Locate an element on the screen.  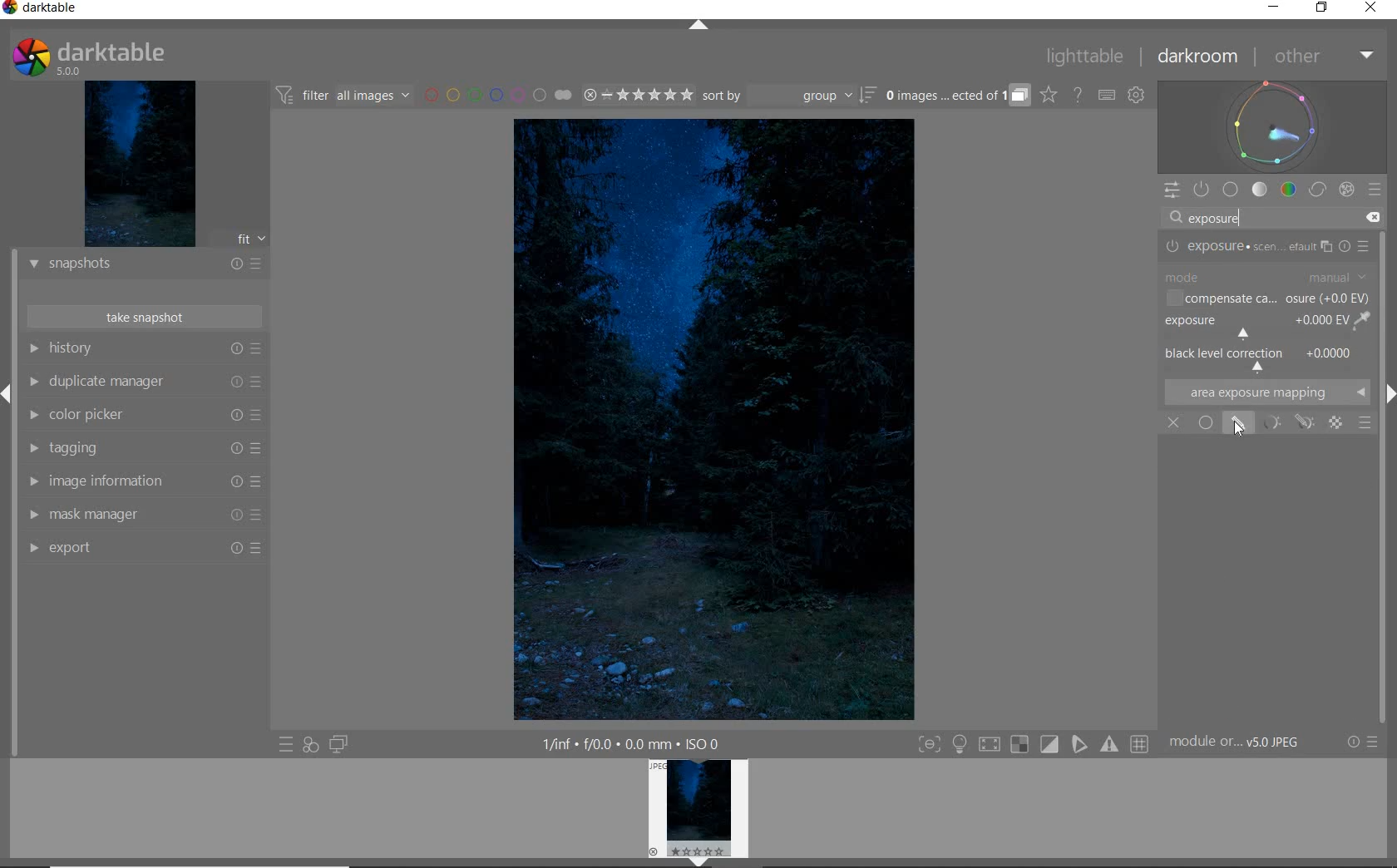
COMPENSATE CA...OSURE is located at coordinates (1266, 298).